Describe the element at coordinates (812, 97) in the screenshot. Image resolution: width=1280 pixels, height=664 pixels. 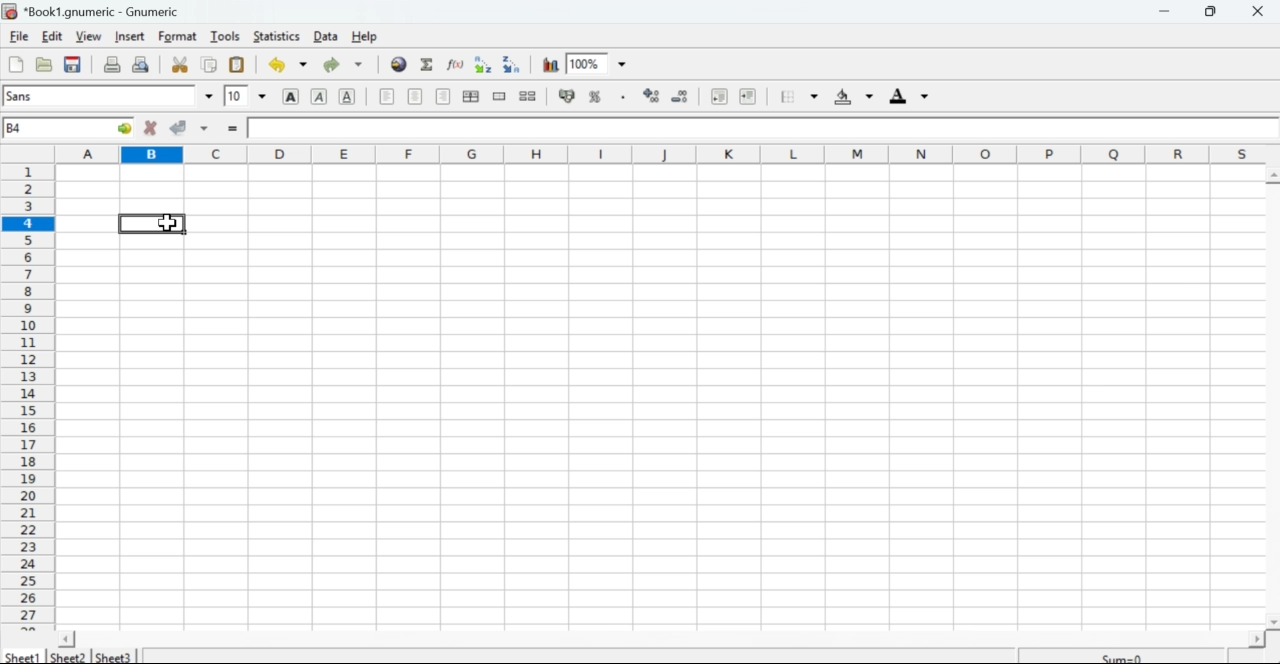
I see `down` at that location.